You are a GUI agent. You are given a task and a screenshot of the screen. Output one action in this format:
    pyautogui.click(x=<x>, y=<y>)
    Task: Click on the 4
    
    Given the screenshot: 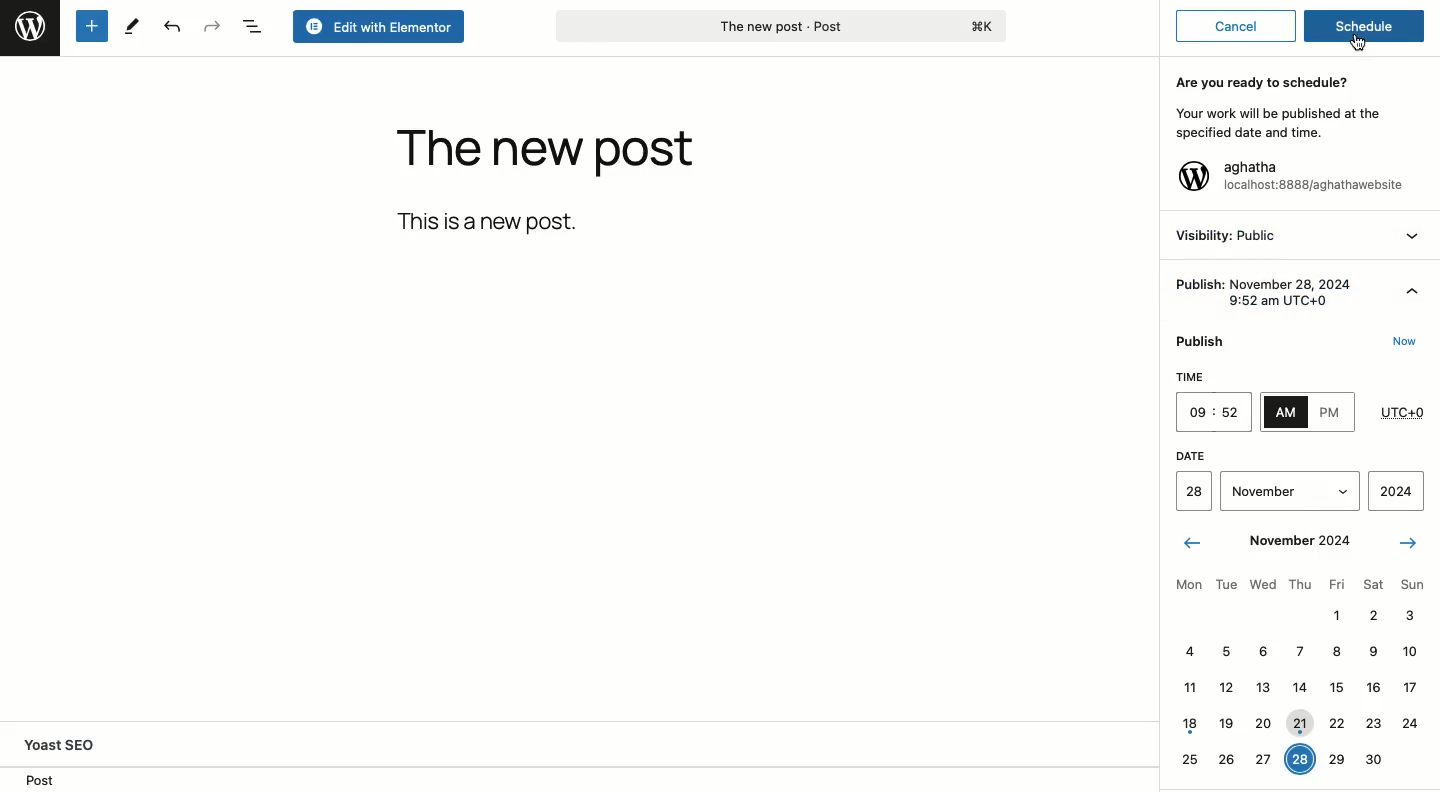 What is the action you would take?
    pyautogui.click(x=1188, y=649)
    